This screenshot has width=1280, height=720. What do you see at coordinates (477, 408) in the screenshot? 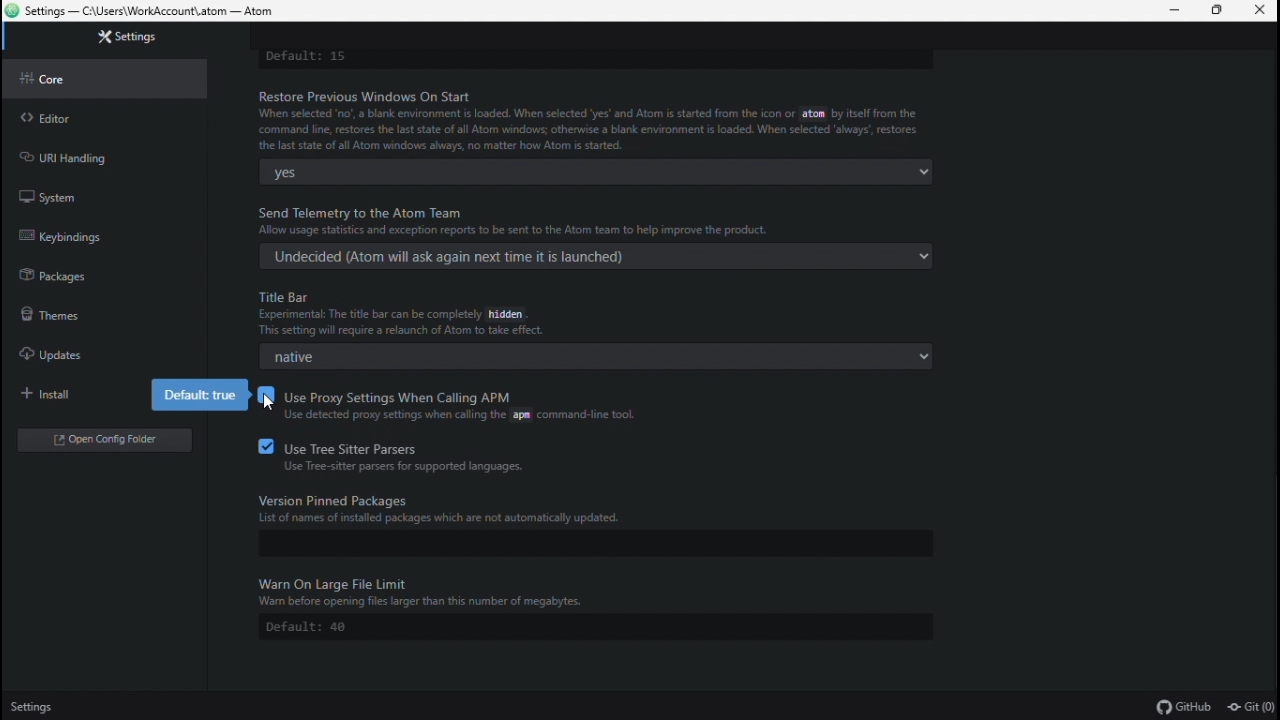
I see `use proxy settings when calling APM (enabled)` at bounding box center [477, 408].